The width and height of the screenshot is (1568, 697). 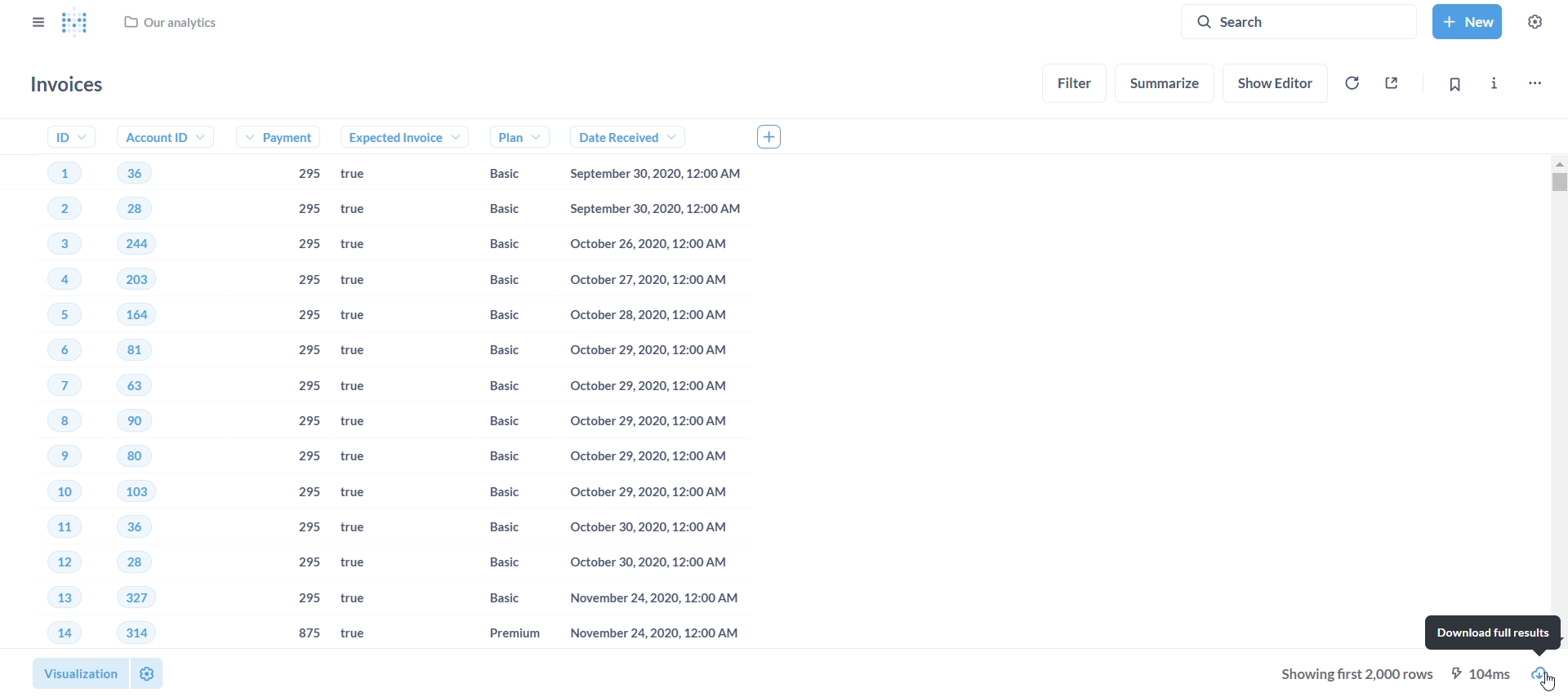 What do you see at coordinates (74, 670) in the screenshot?
I see `visualization` at bounding box center [74, 670].